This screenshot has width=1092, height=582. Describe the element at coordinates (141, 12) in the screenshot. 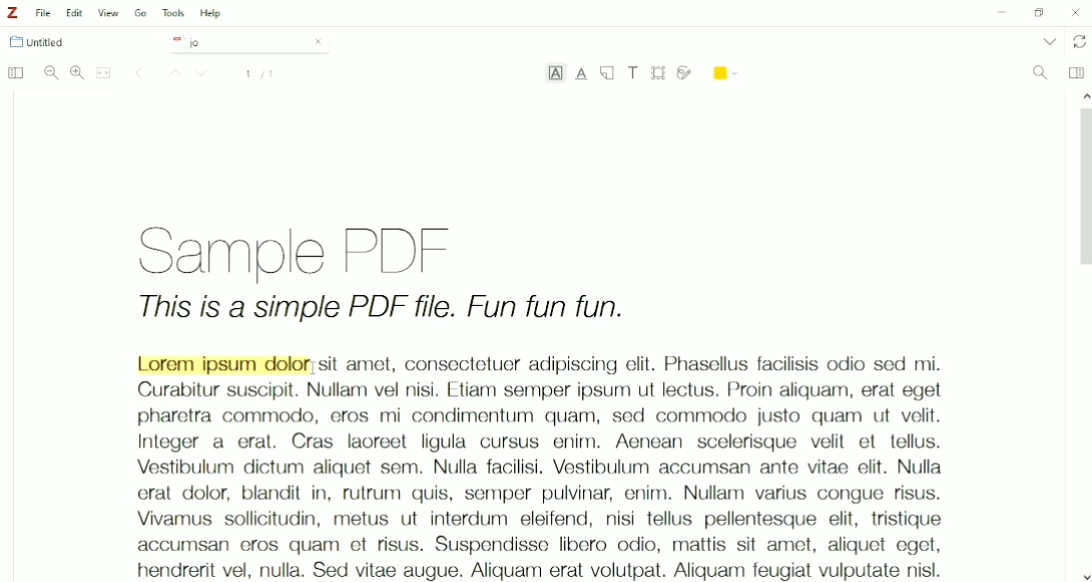

I see `Go` at that location.